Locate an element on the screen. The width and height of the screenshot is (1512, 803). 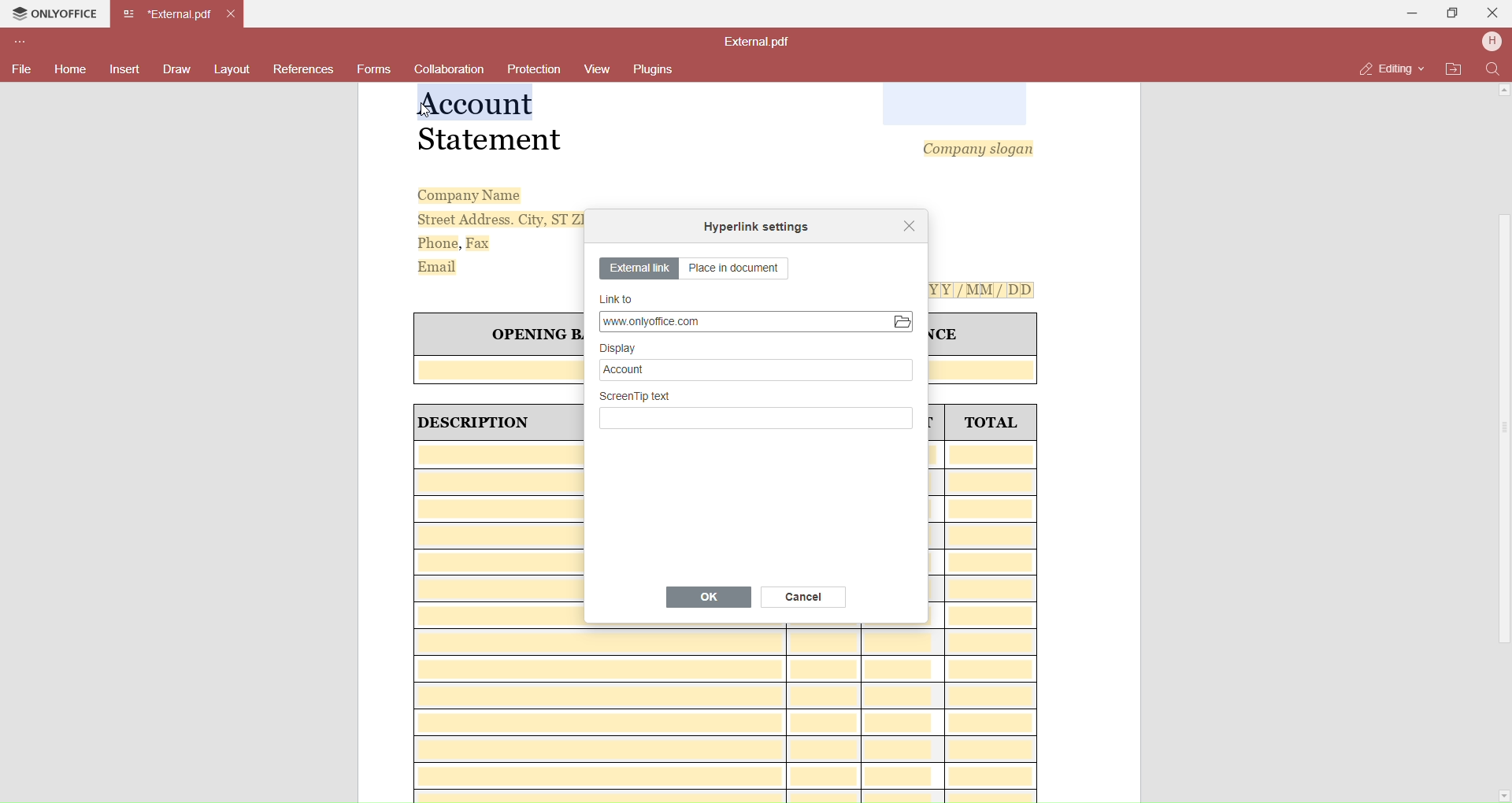
Plugins is located at coordinates (658, 68).